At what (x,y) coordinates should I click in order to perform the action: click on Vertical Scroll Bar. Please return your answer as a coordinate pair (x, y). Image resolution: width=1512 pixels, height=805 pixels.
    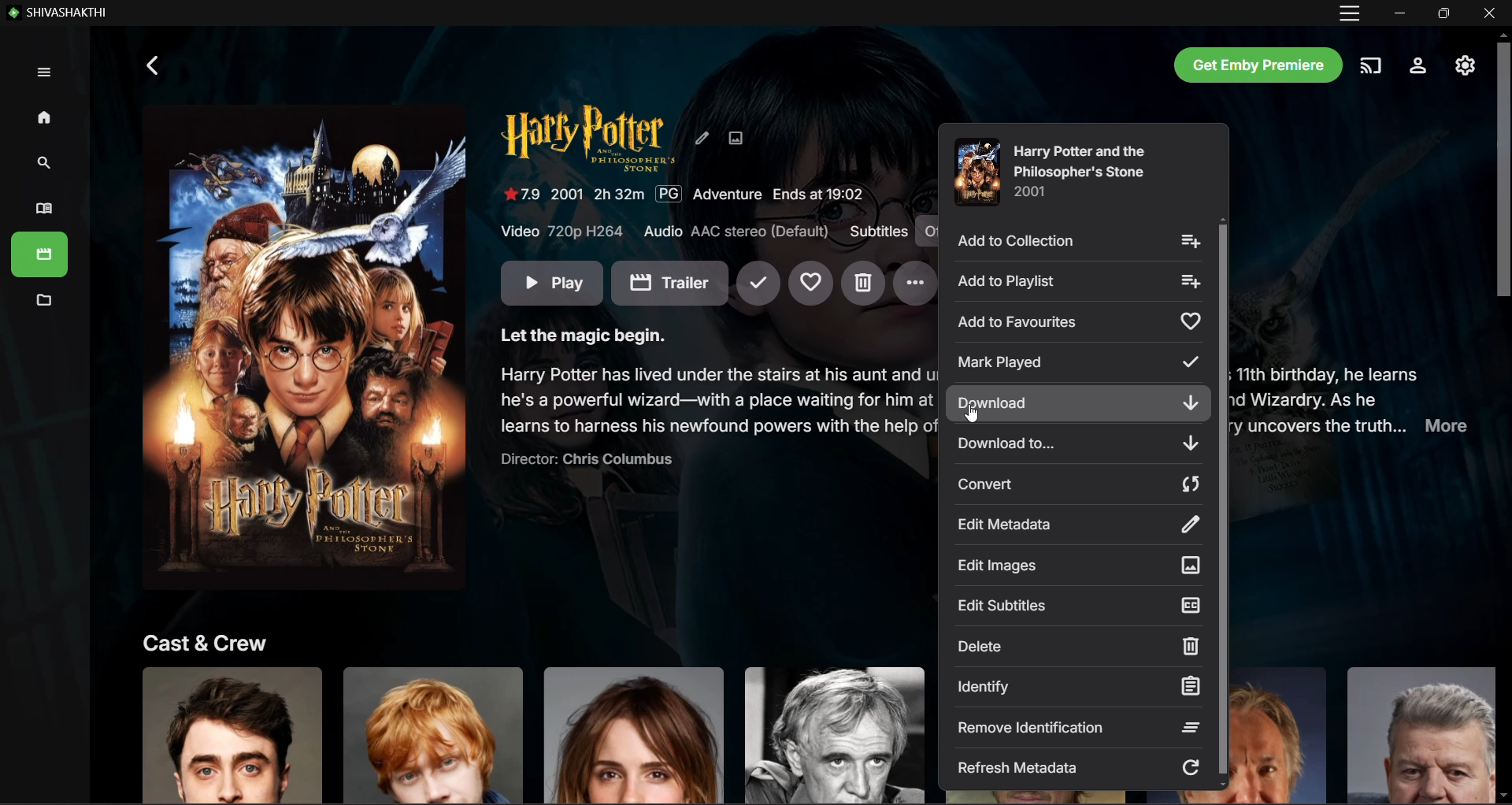
    Looking at the image, I should click on (1221, 501).